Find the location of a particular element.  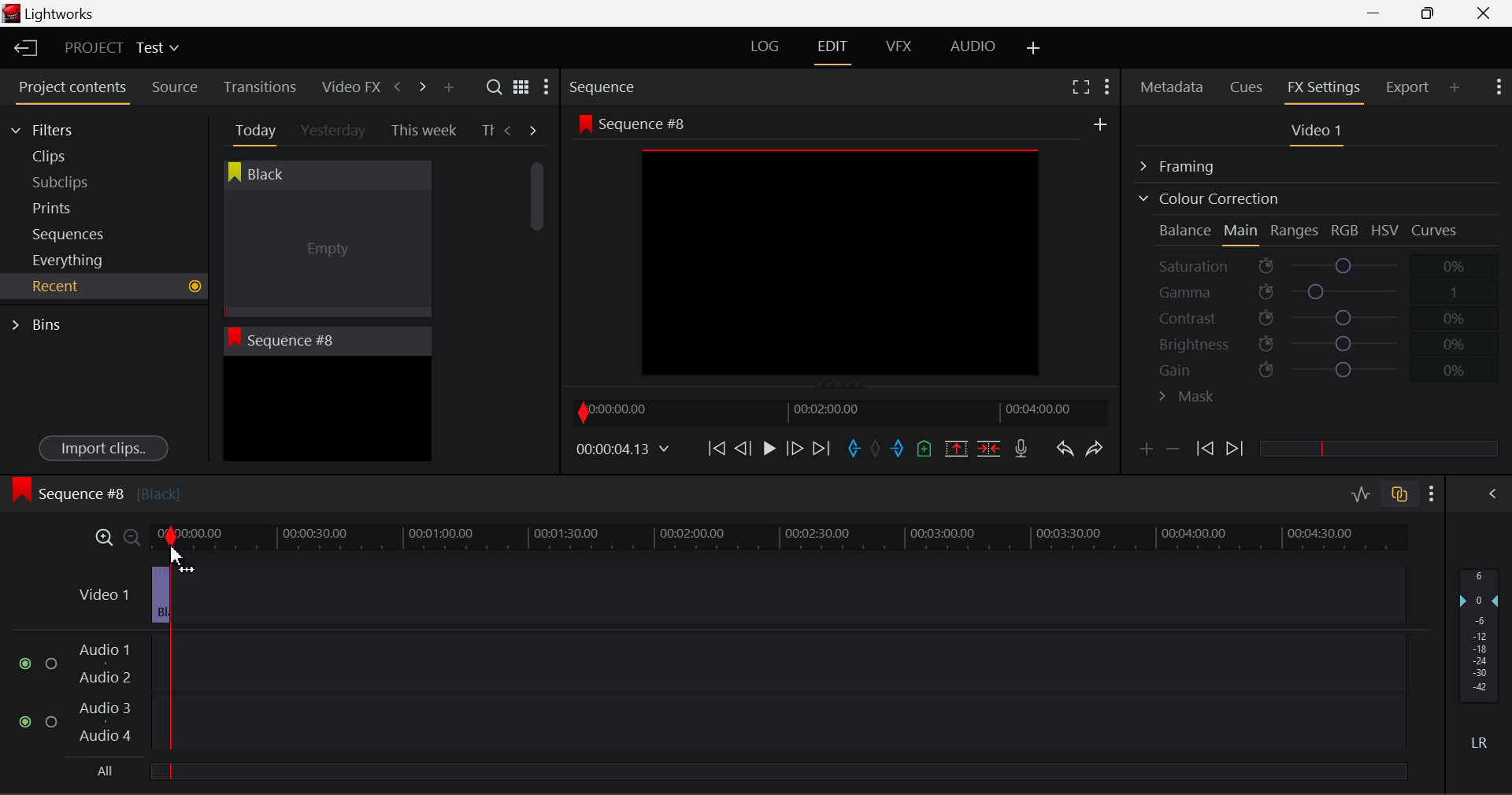

Colour Correction is located at coordinates (1208, 198).